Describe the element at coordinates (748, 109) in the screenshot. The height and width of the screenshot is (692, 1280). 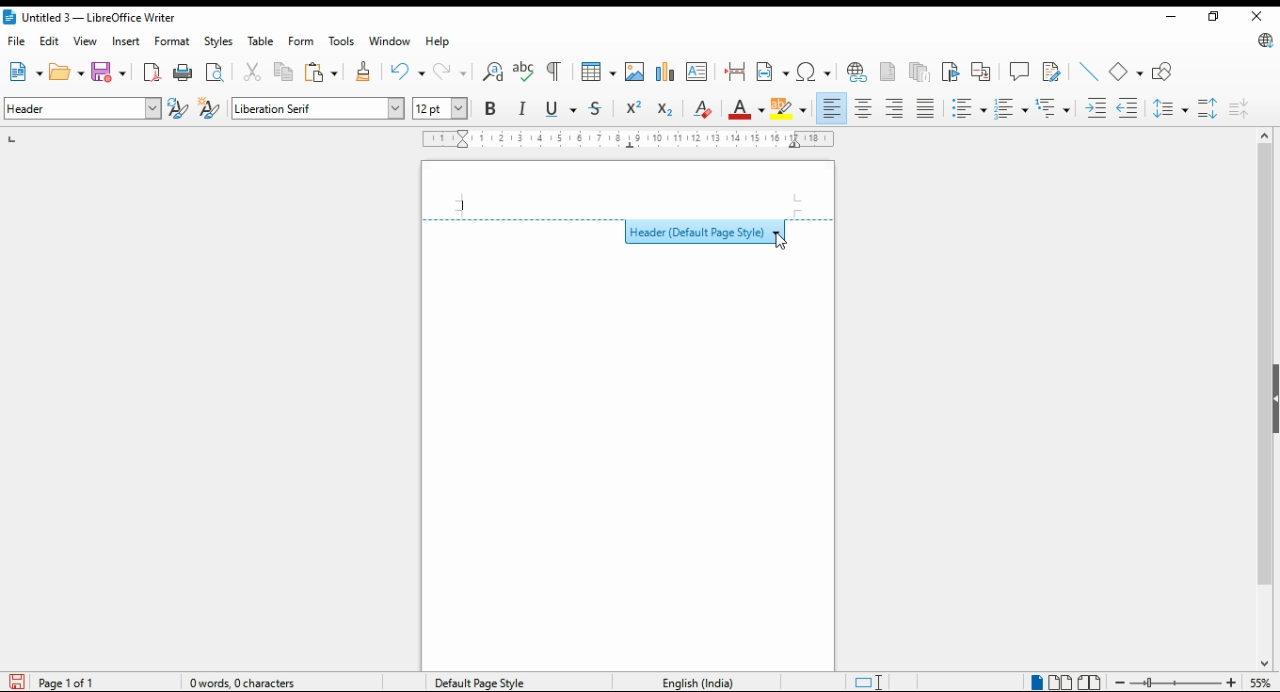
I see `font color` at that location.